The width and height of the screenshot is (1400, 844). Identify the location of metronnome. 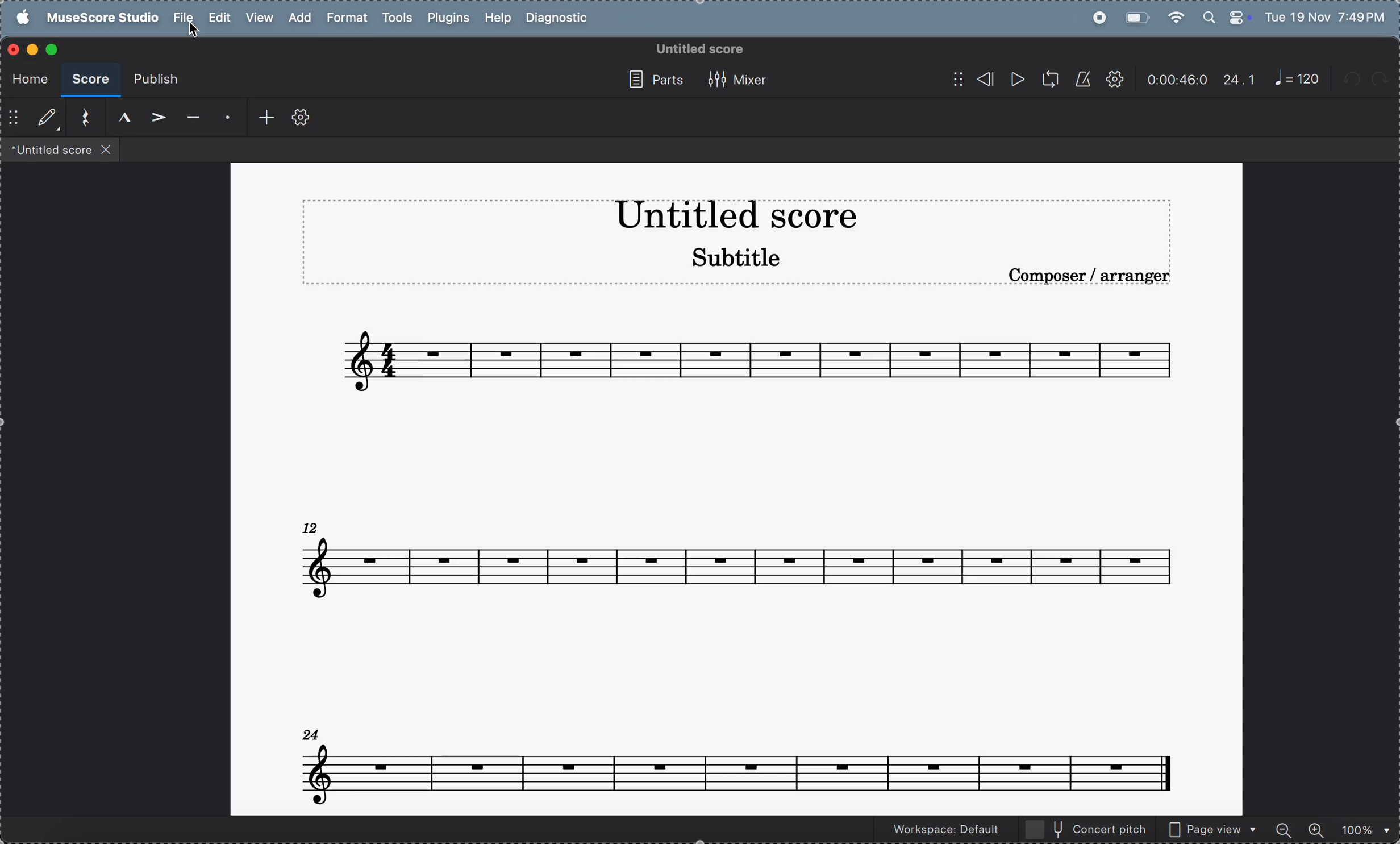
(1081, 79).